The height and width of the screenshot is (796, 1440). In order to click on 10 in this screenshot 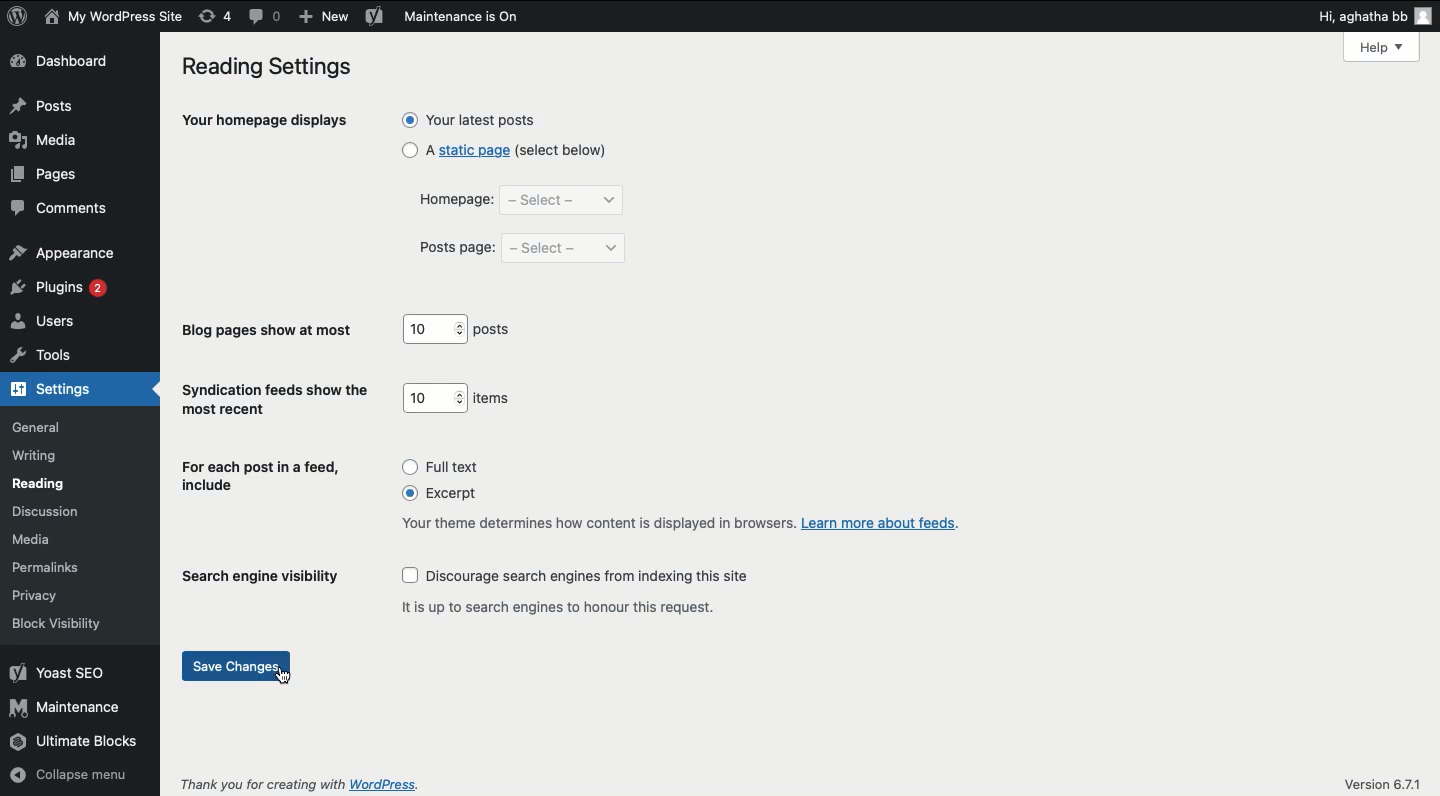, I will do `click(437, 398)`.